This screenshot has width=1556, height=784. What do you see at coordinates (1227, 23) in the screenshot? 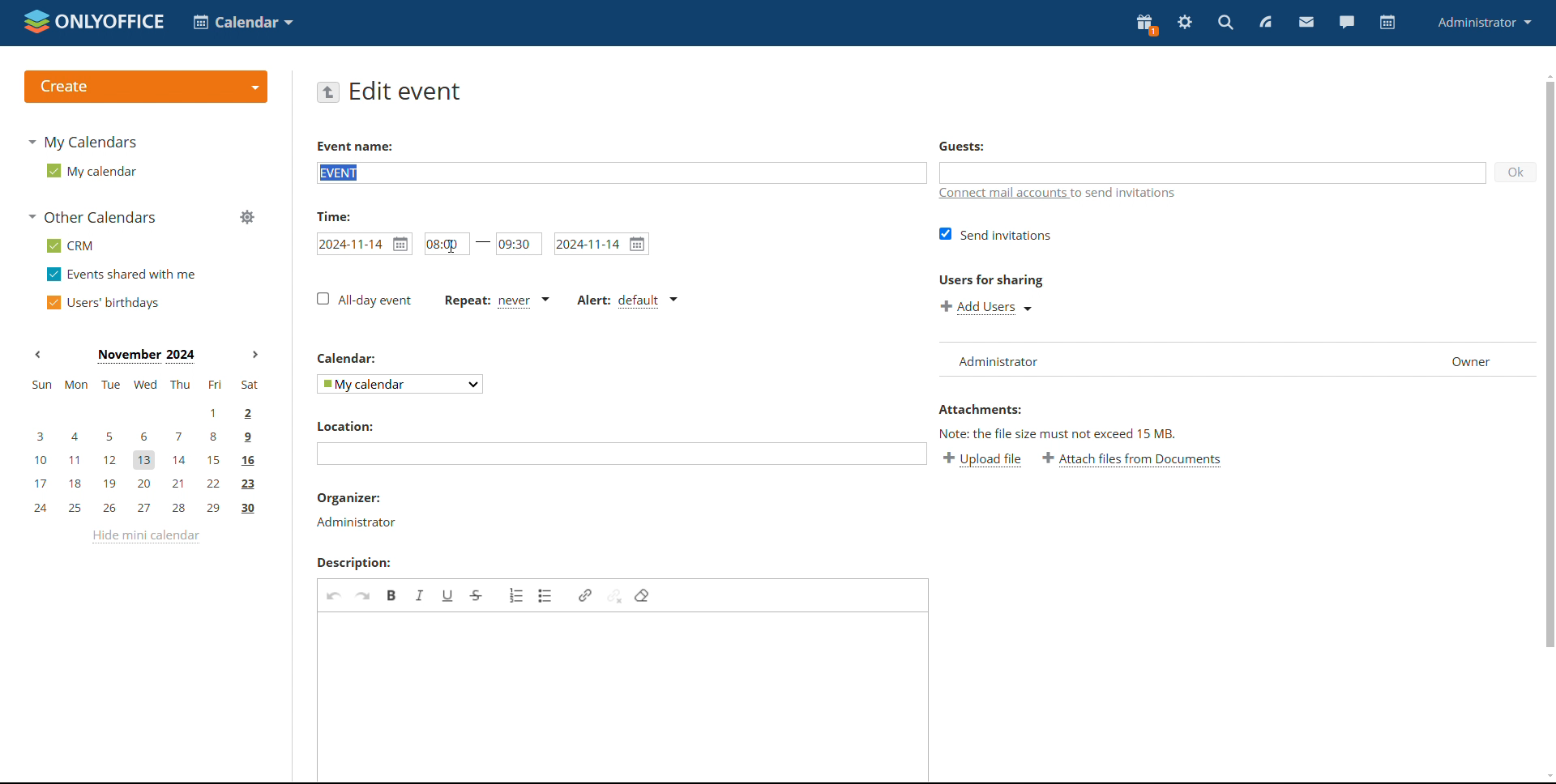
I see `search` at bounding box center [1227, 23].